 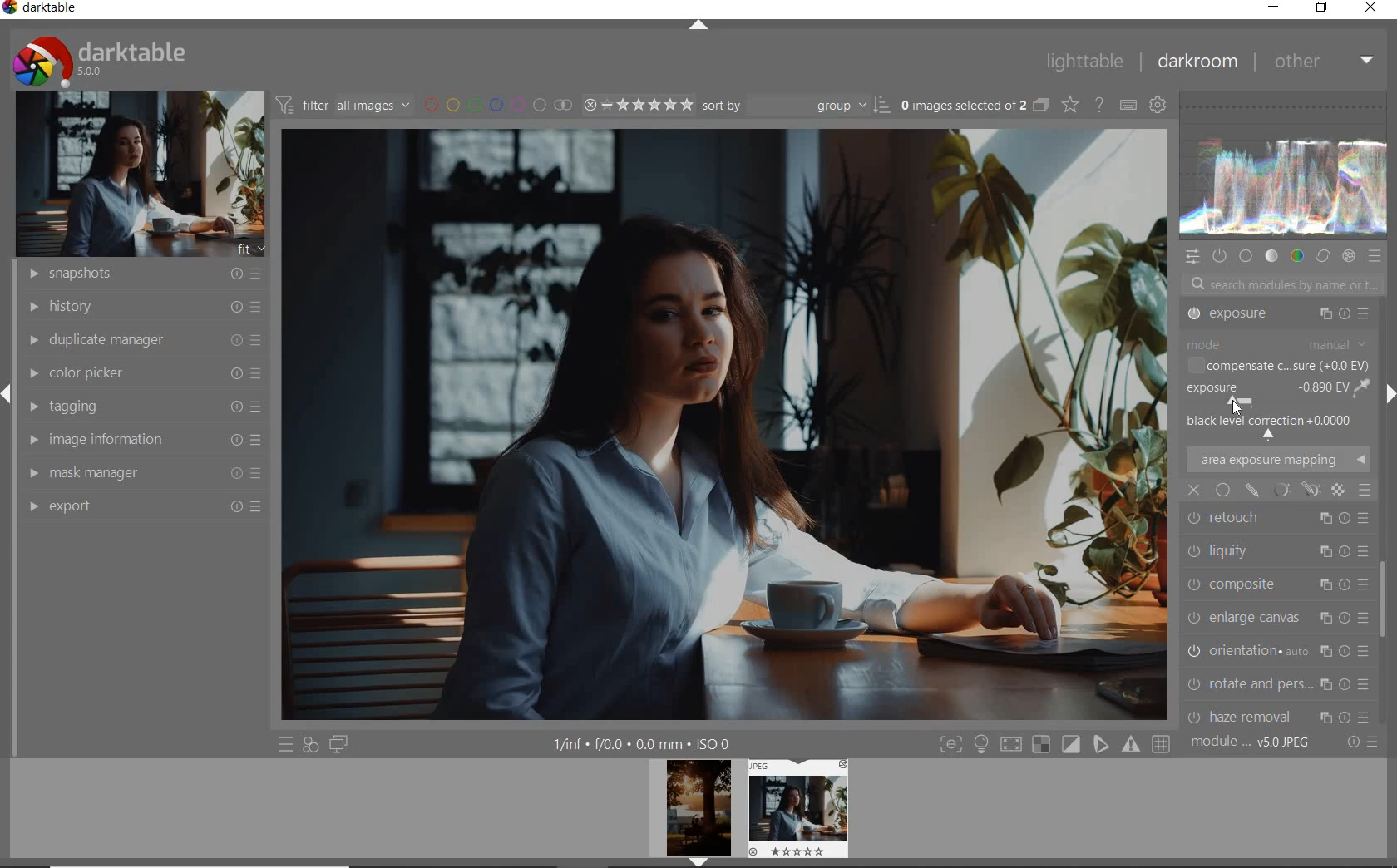 I want to click on SELECTED  IMAGE RANGE RATING, so click(x=637, y=105).